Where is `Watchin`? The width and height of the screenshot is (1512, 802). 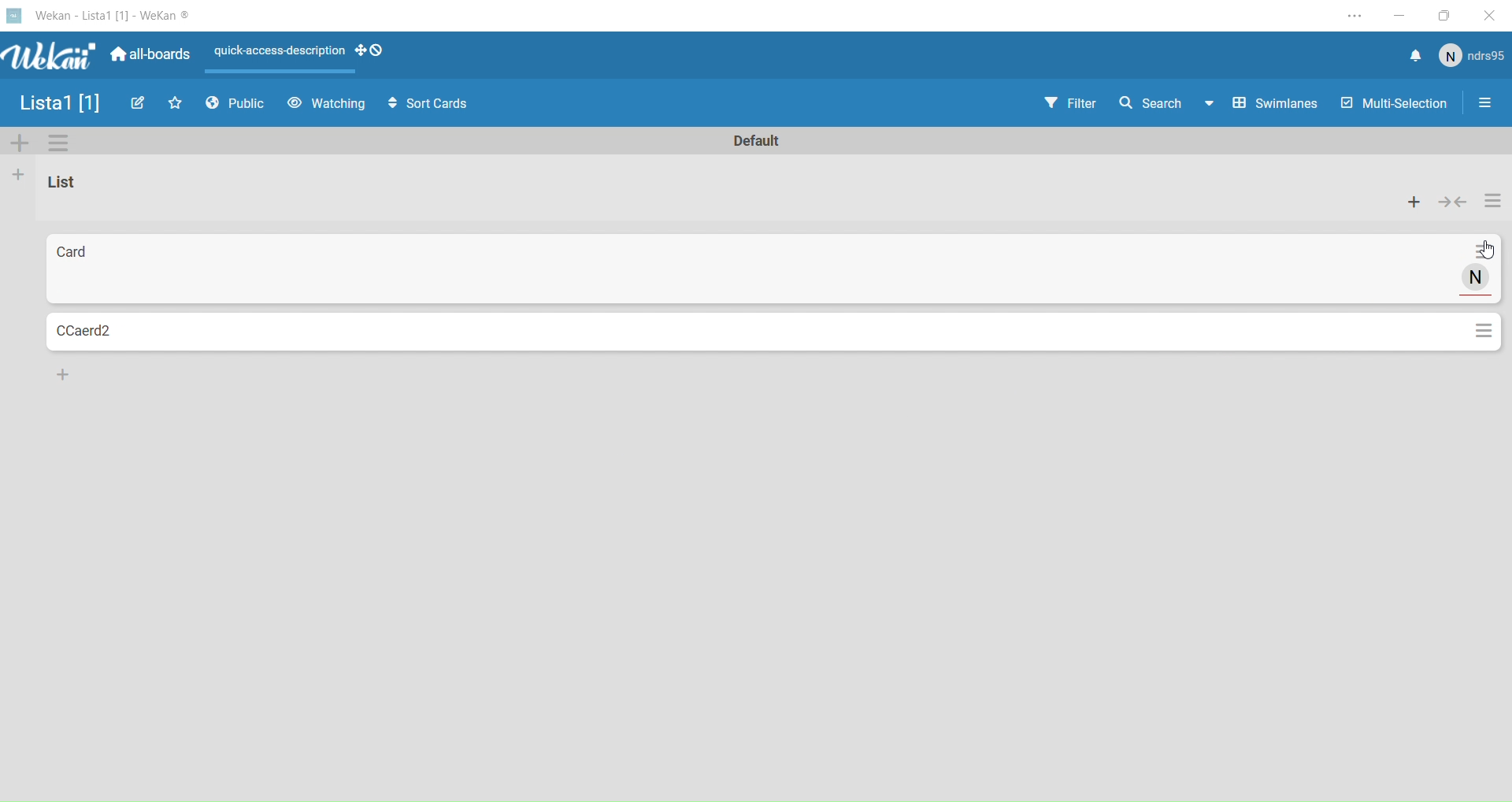 Watchin is located at coordinates (328, 105).